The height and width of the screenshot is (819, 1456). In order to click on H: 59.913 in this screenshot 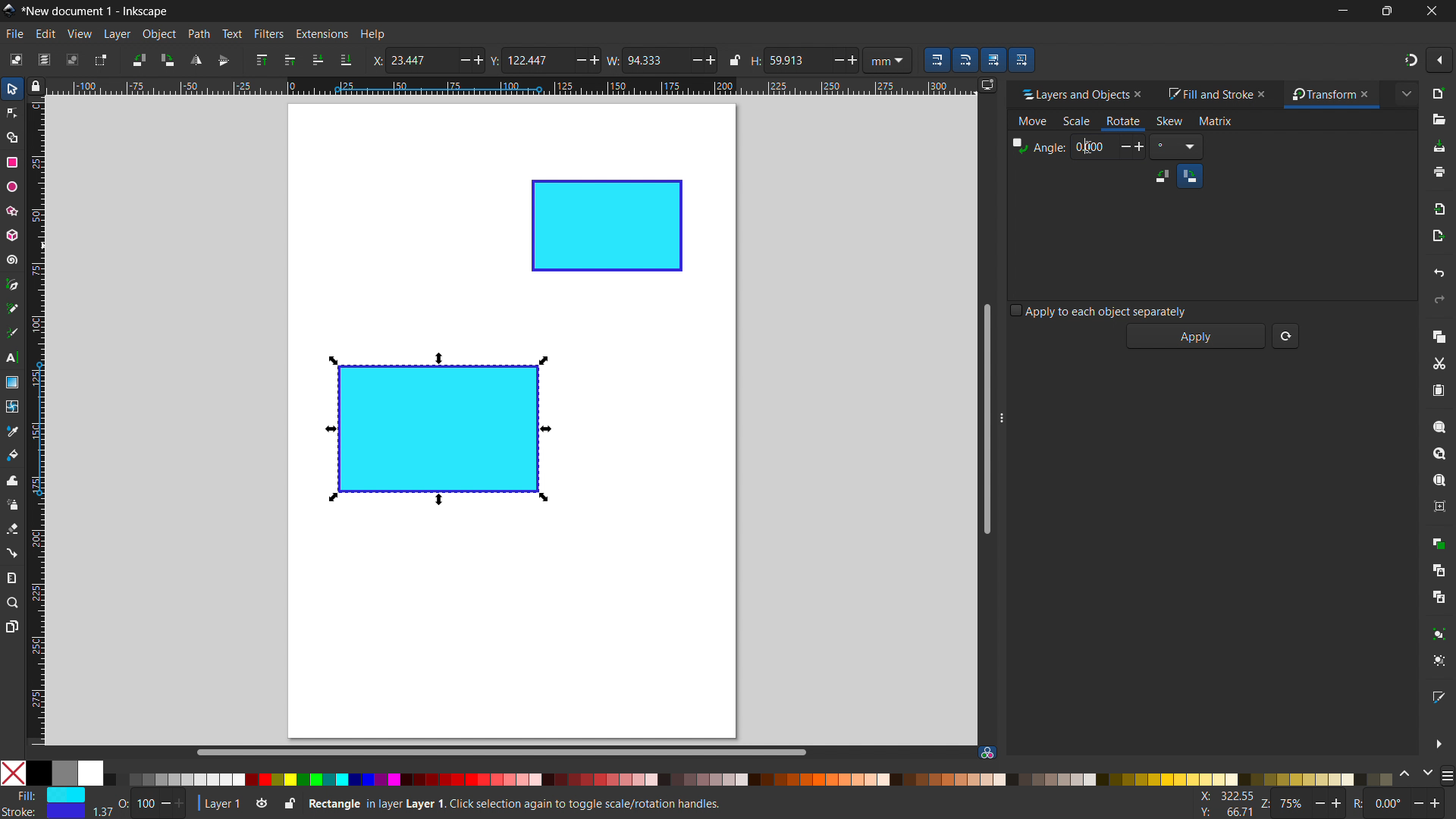, I will do `click(781, 60)`.